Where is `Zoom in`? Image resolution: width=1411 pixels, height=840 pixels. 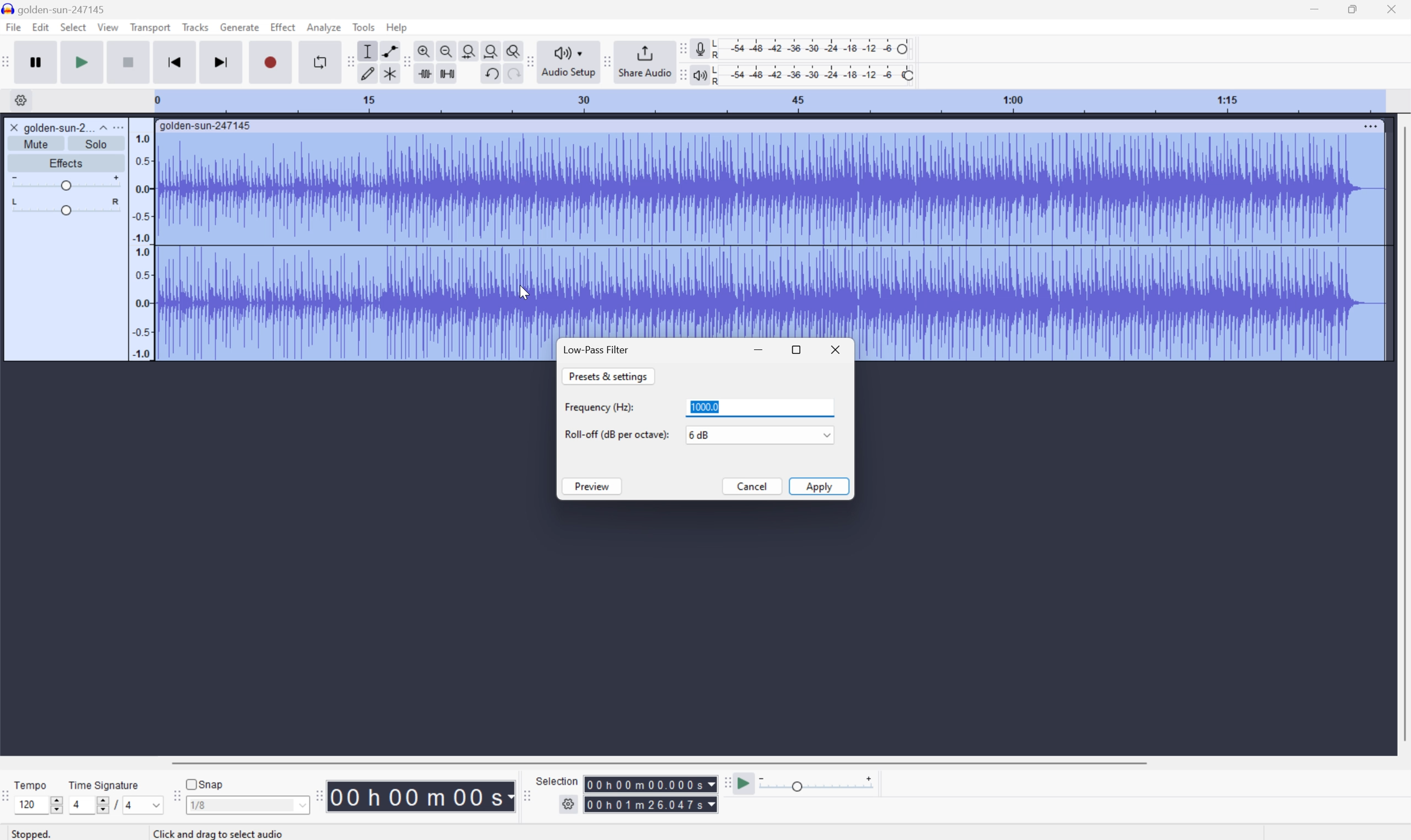 Zoom in is located at coordinates (426, 48).